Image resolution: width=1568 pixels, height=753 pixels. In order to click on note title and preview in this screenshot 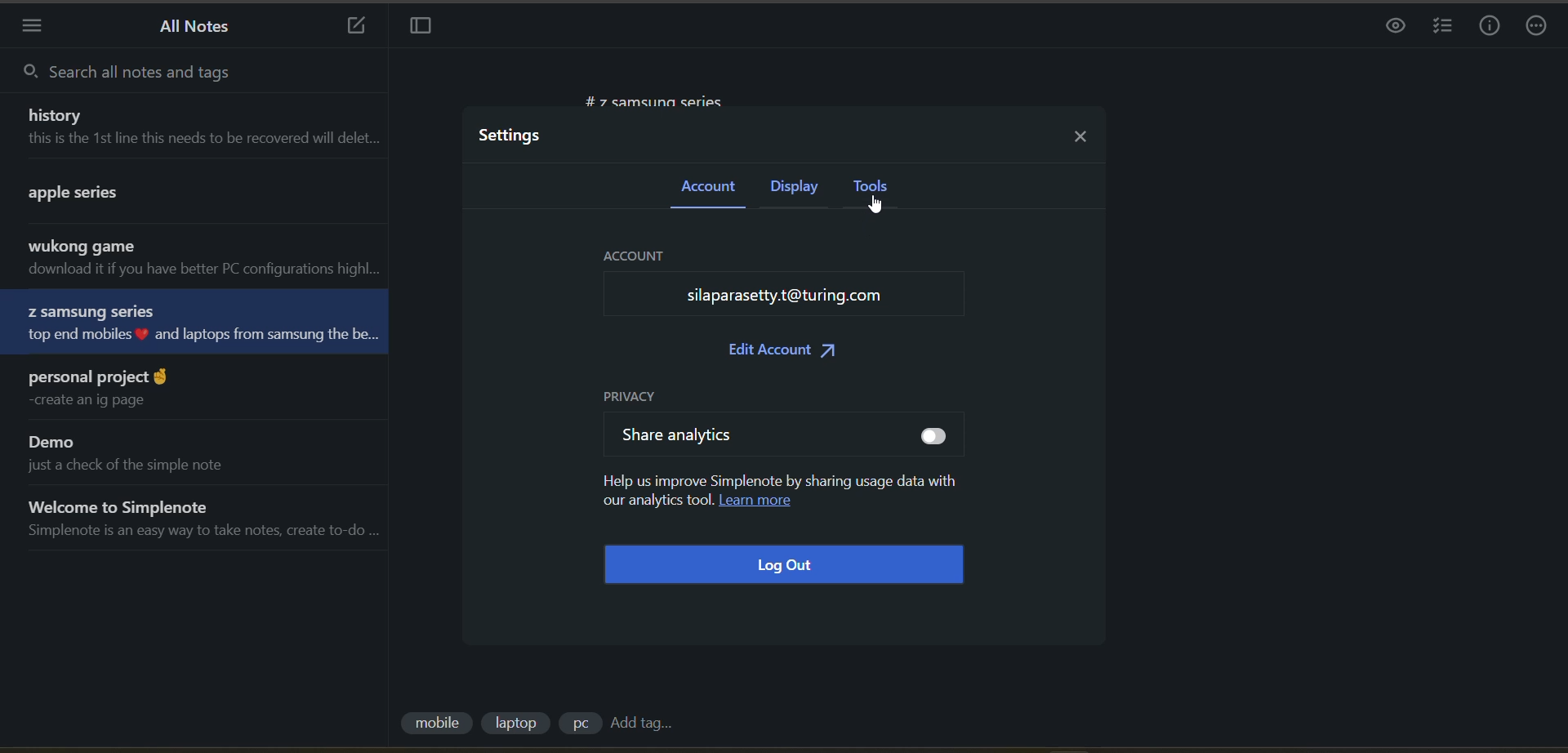, I will do `click(161, 198)`.